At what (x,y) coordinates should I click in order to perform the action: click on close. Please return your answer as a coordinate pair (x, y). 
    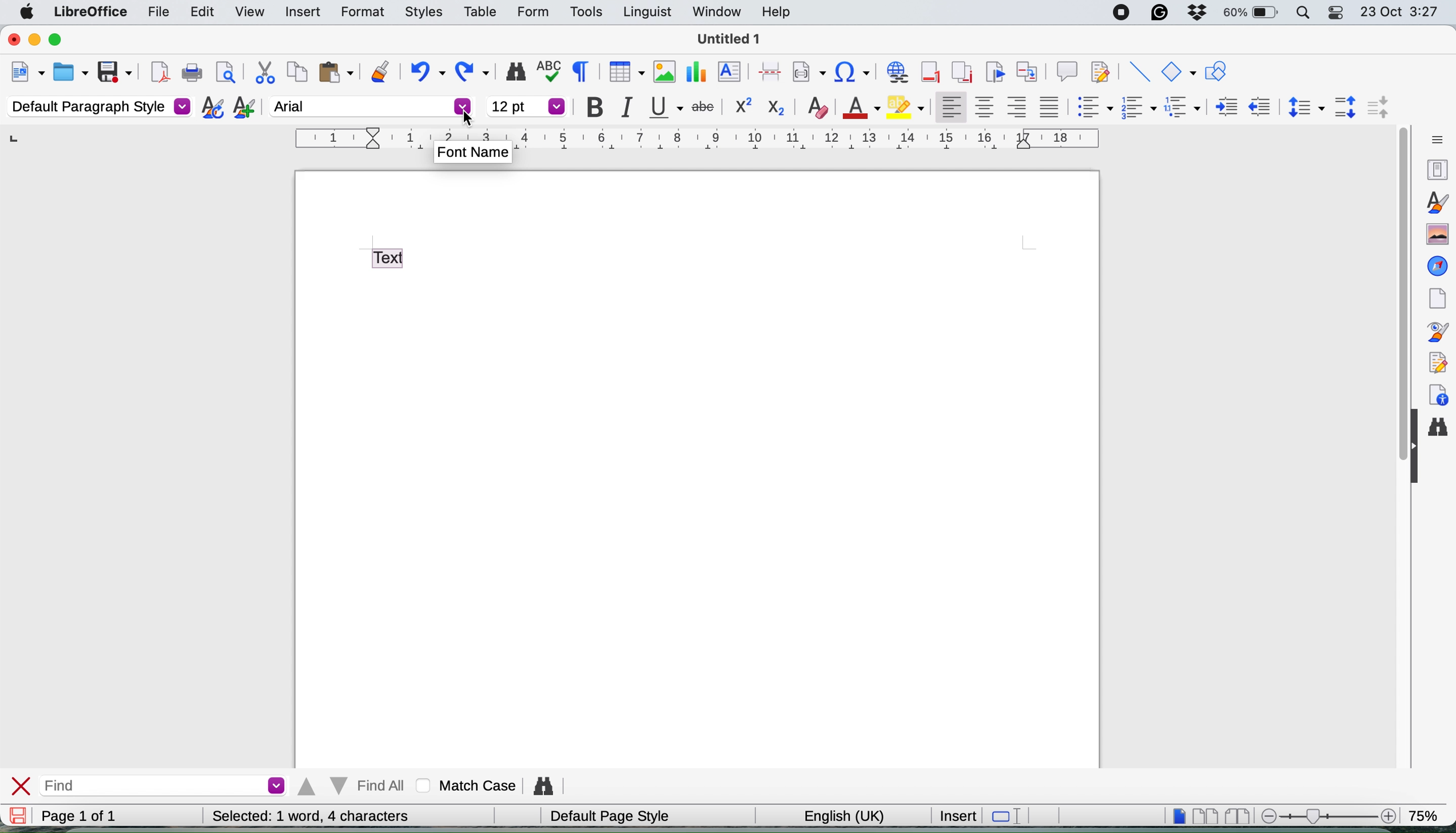
    Looking at the image, I should click on (22, 785).